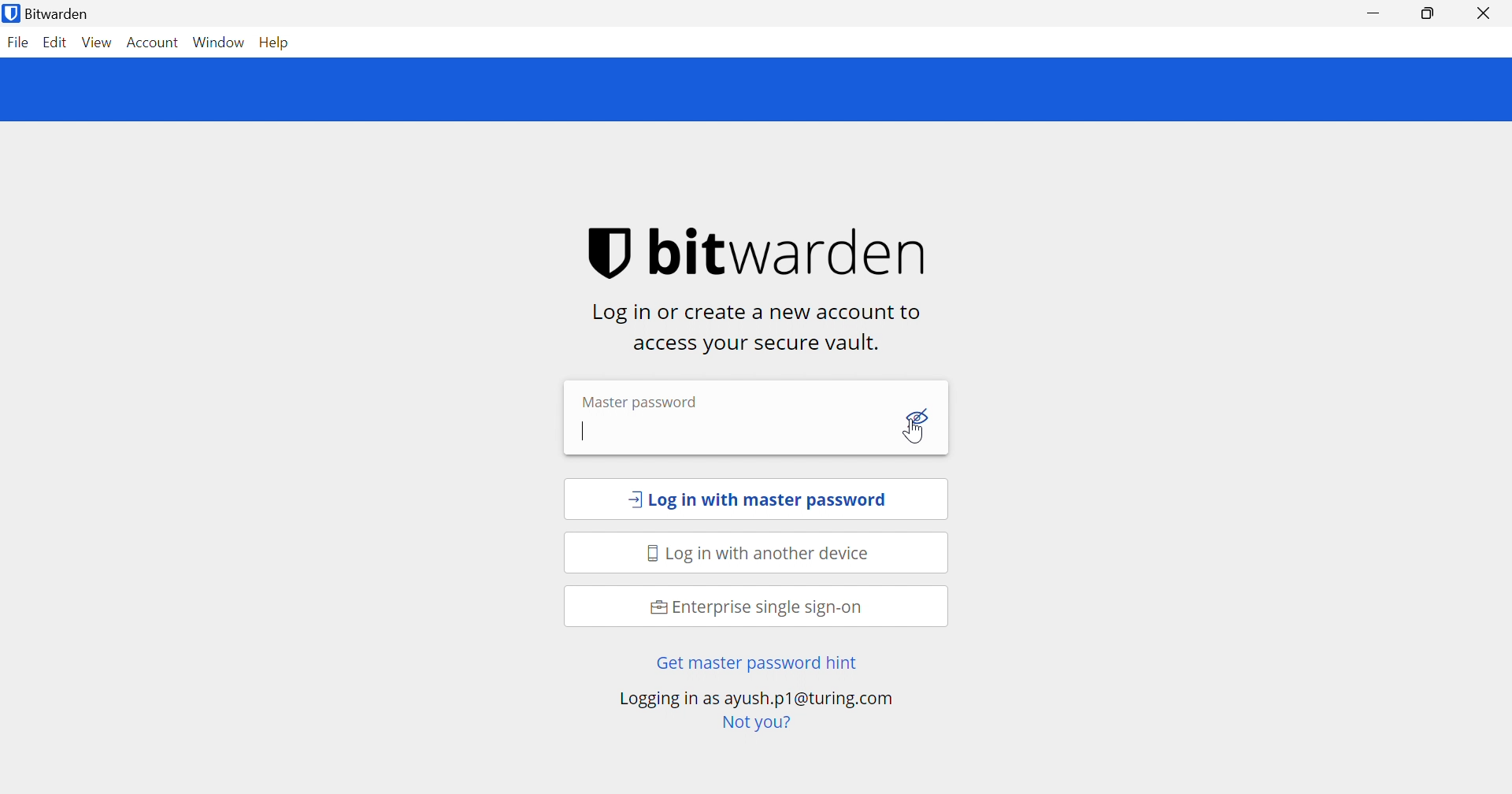 The width and height of the screenshot is (1512, 794). Describe the element at coordinates (758, 501) in the screenshot. I see `Log in with masterpassword` at that location.